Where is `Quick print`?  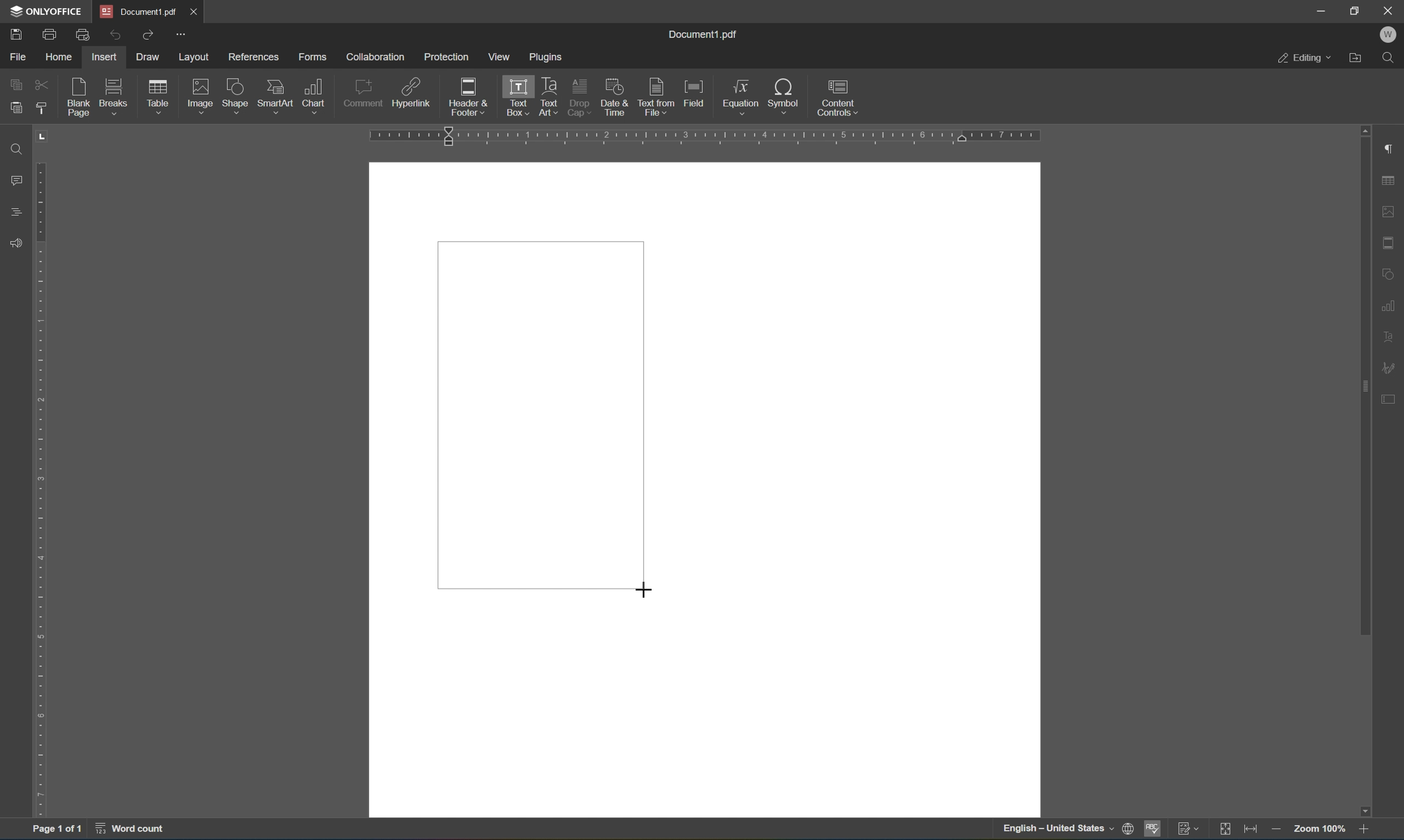 Quick print is located at coordinates (84, 33).